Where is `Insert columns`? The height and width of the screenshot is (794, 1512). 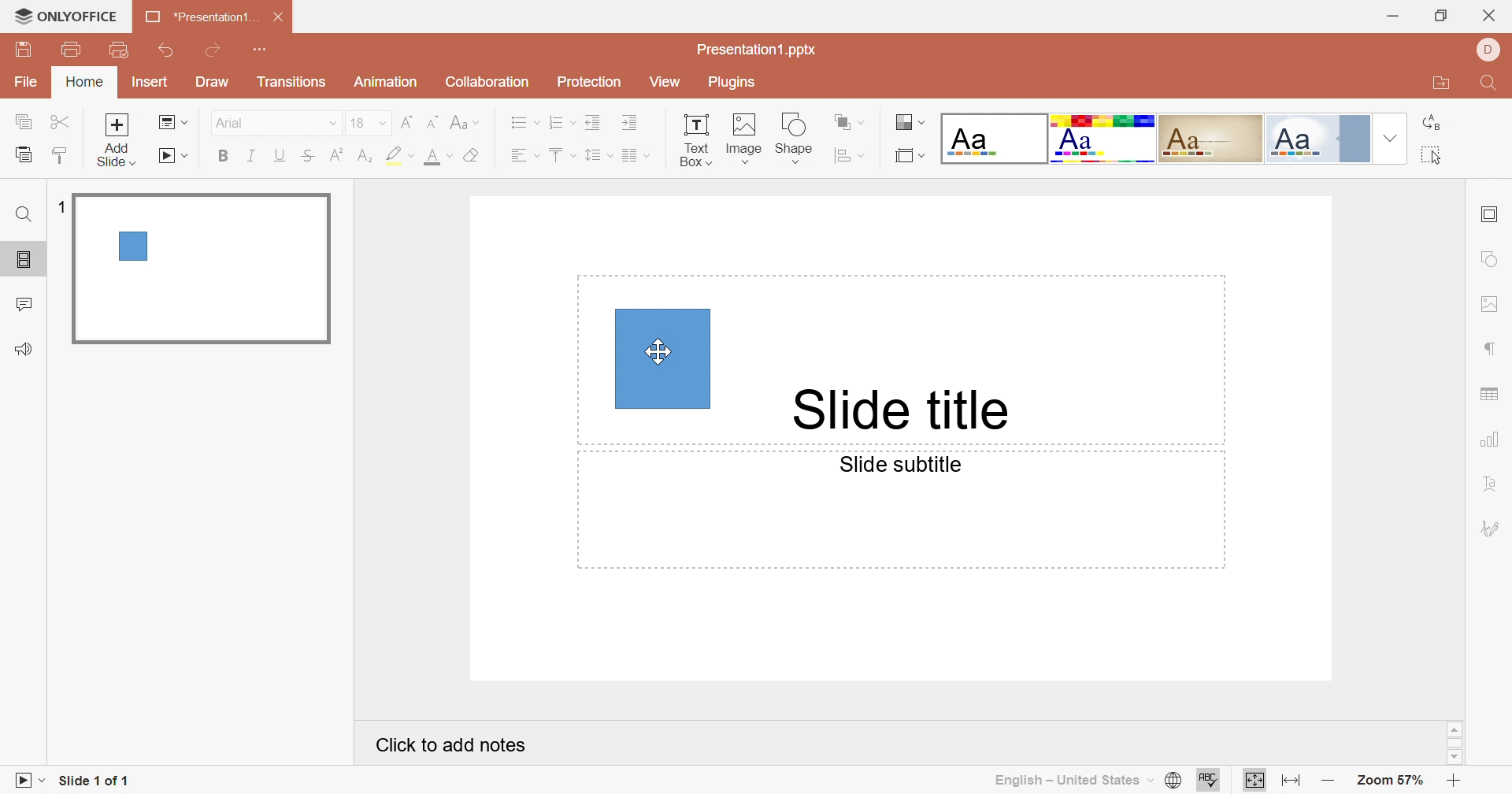 Insert columns is located at coordinates (636, 156).